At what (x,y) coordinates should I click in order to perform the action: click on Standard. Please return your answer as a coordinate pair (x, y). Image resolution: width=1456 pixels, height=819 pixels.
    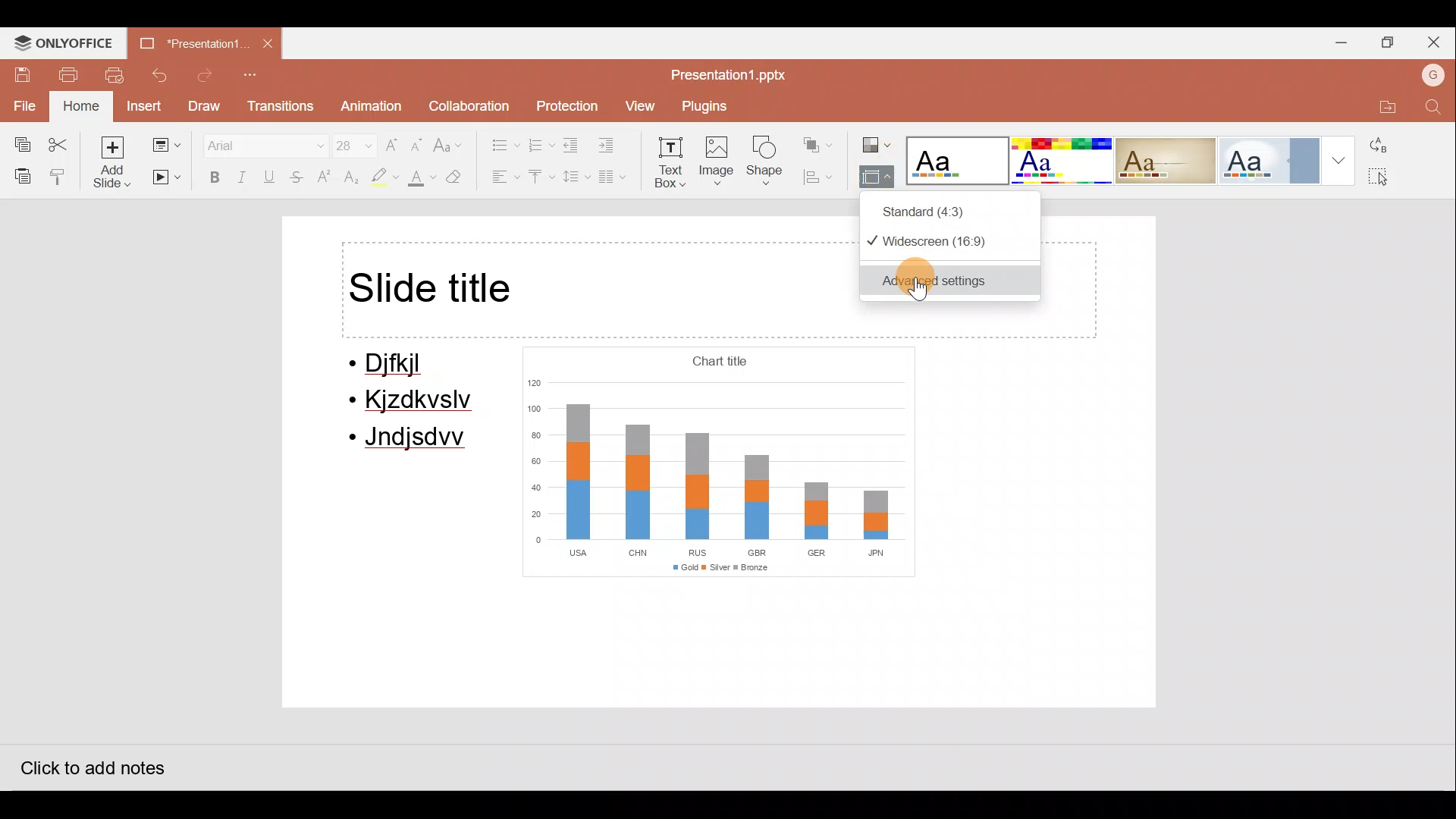
    Looking at the image, I should click on (956, 209).